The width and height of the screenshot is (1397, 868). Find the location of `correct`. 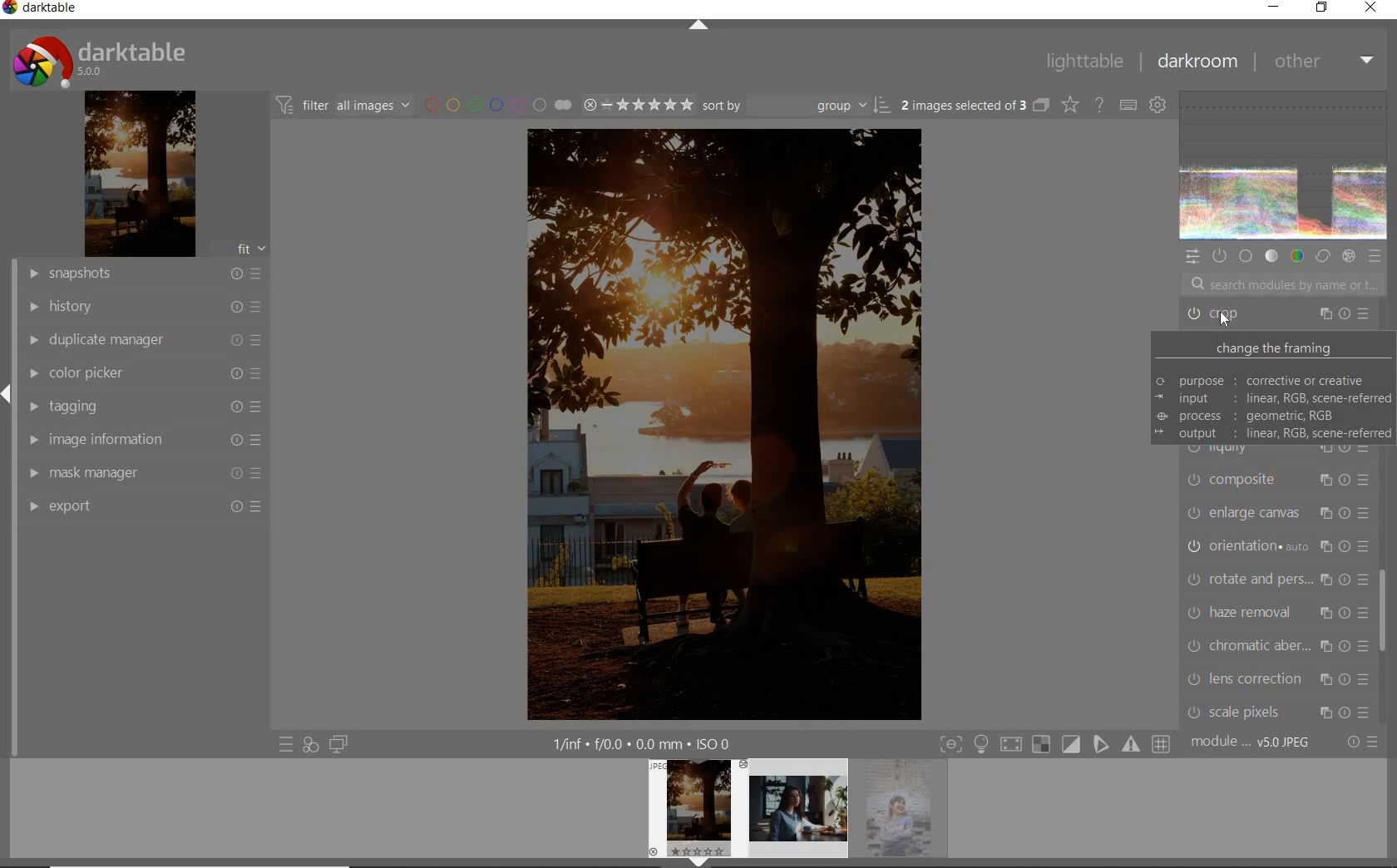

correct is located at coordinates (1321, 255).